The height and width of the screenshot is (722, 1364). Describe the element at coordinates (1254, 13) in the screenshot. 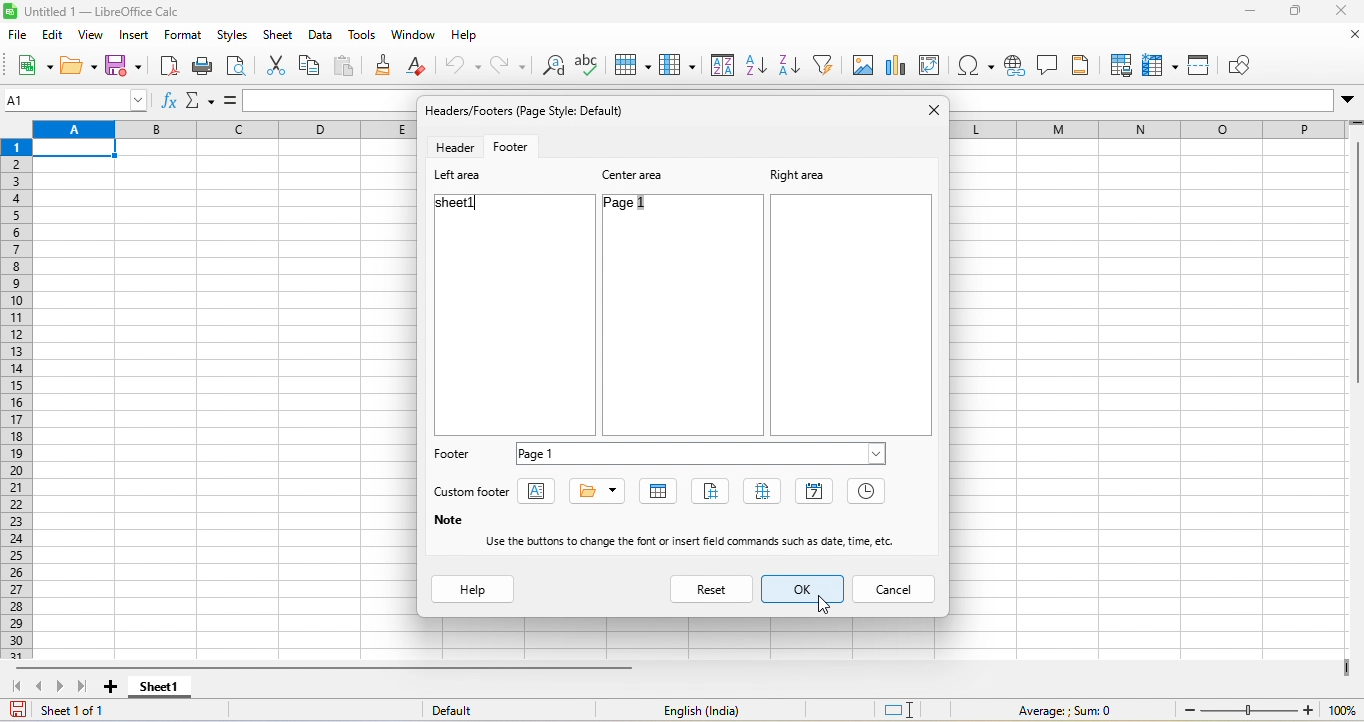

I see `minimize` at that location.